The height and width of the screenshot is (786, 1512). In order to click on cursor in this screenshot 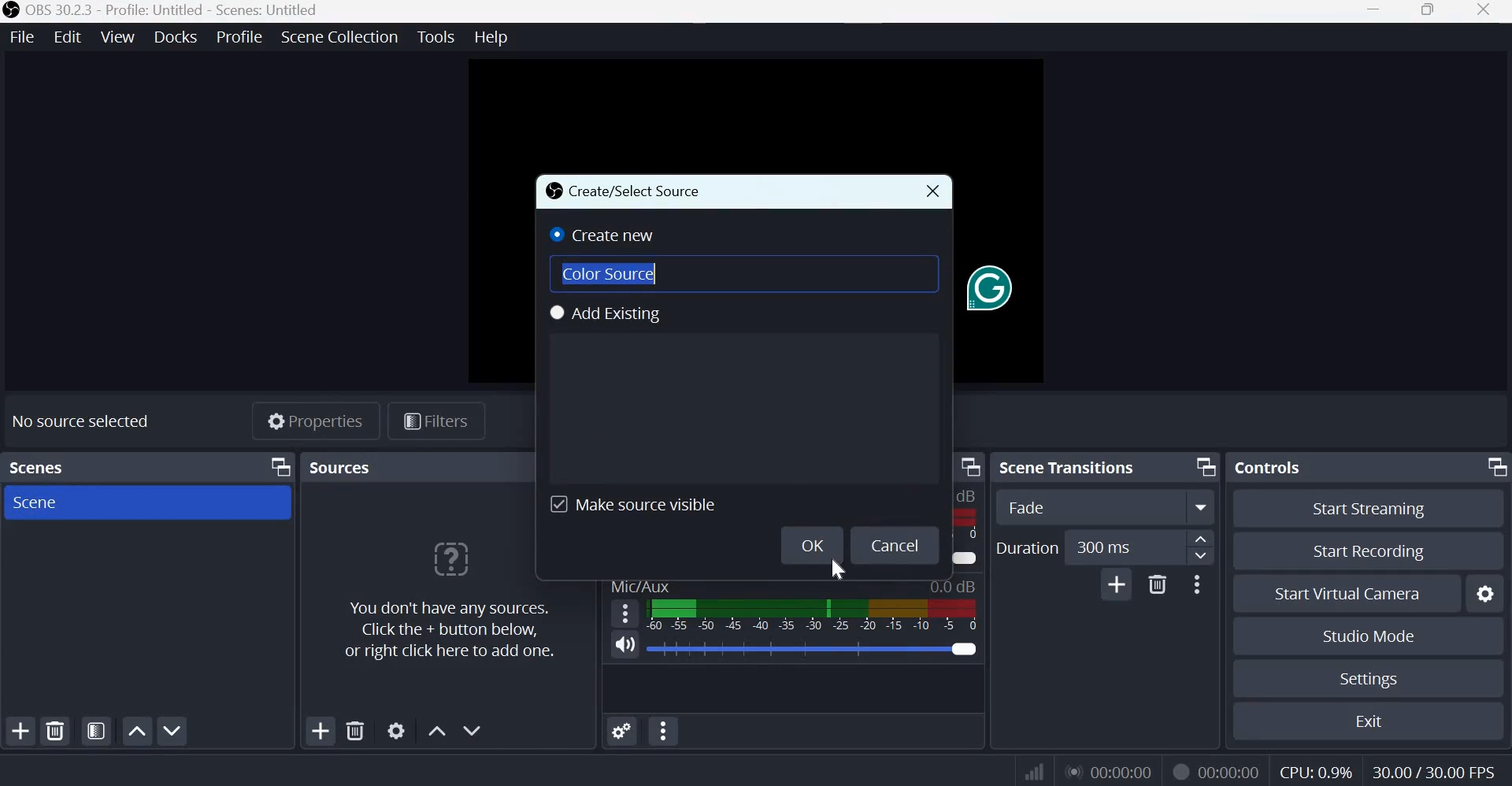, I will do `click(840, 572)`.